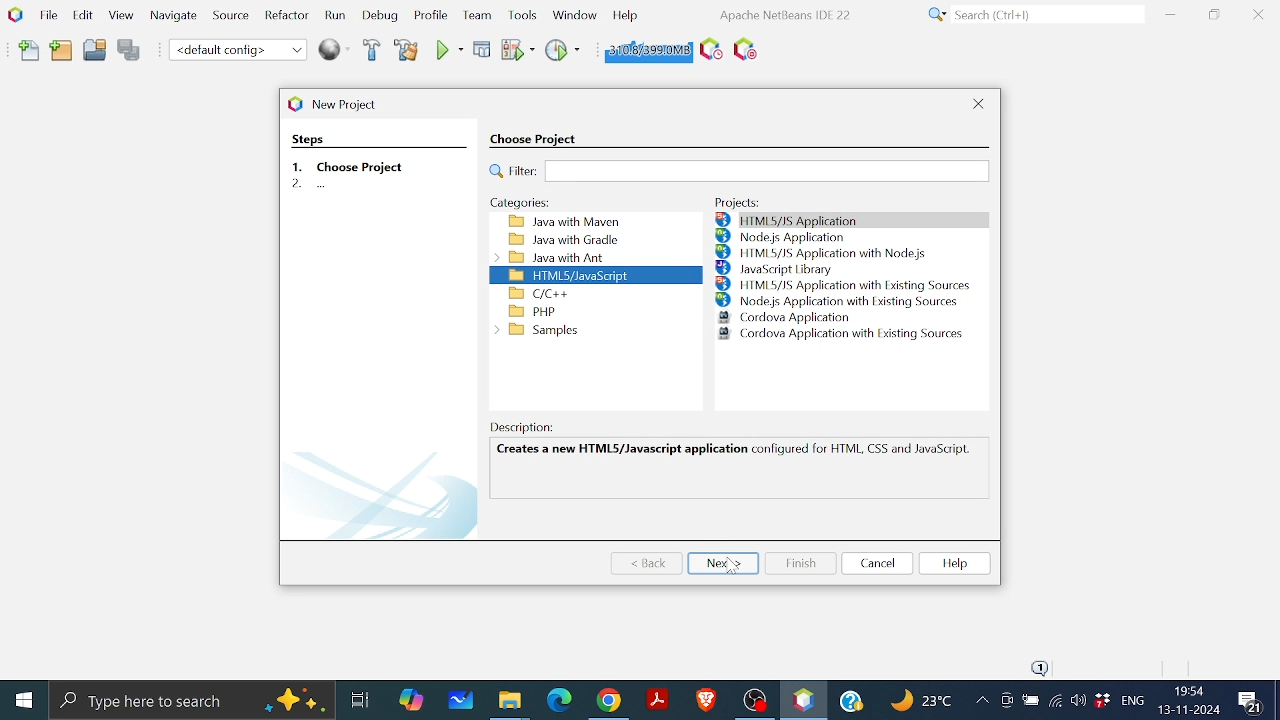 This screenshot has height=720, width=1280. I want to click on Files, so click(510, 702).